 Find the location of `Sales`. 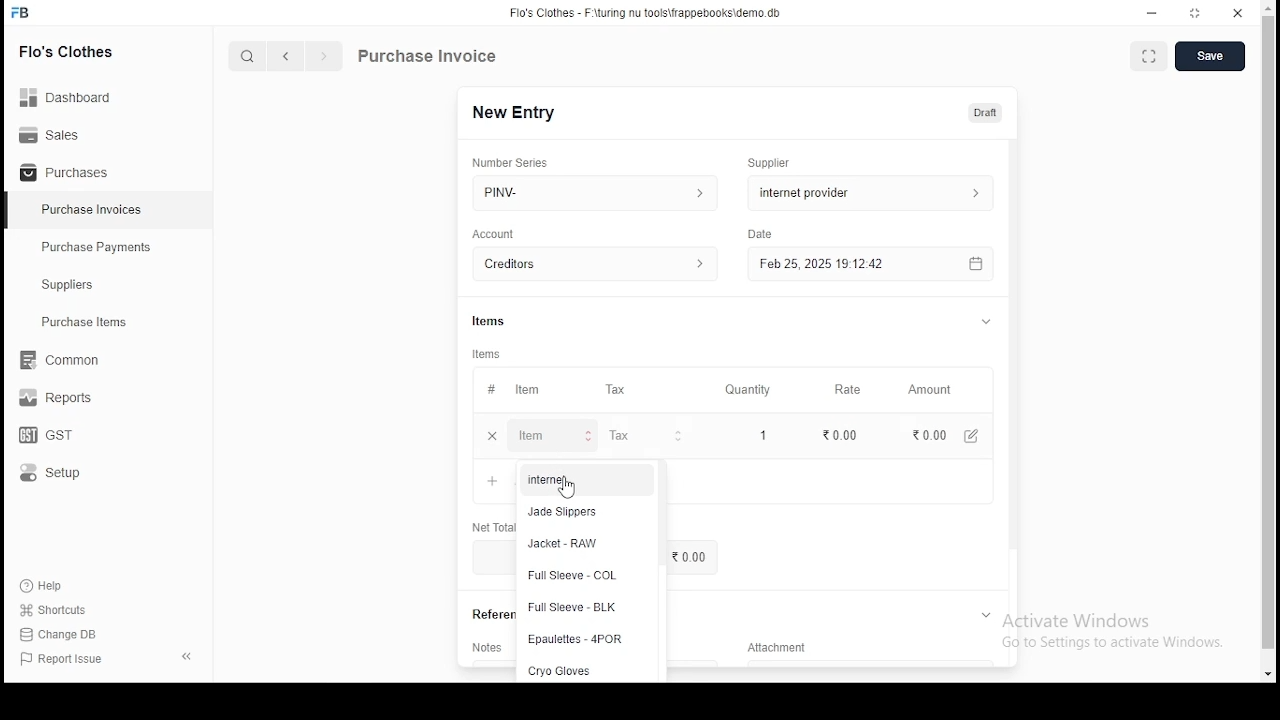

Sales is located at coordinates (55, 133).